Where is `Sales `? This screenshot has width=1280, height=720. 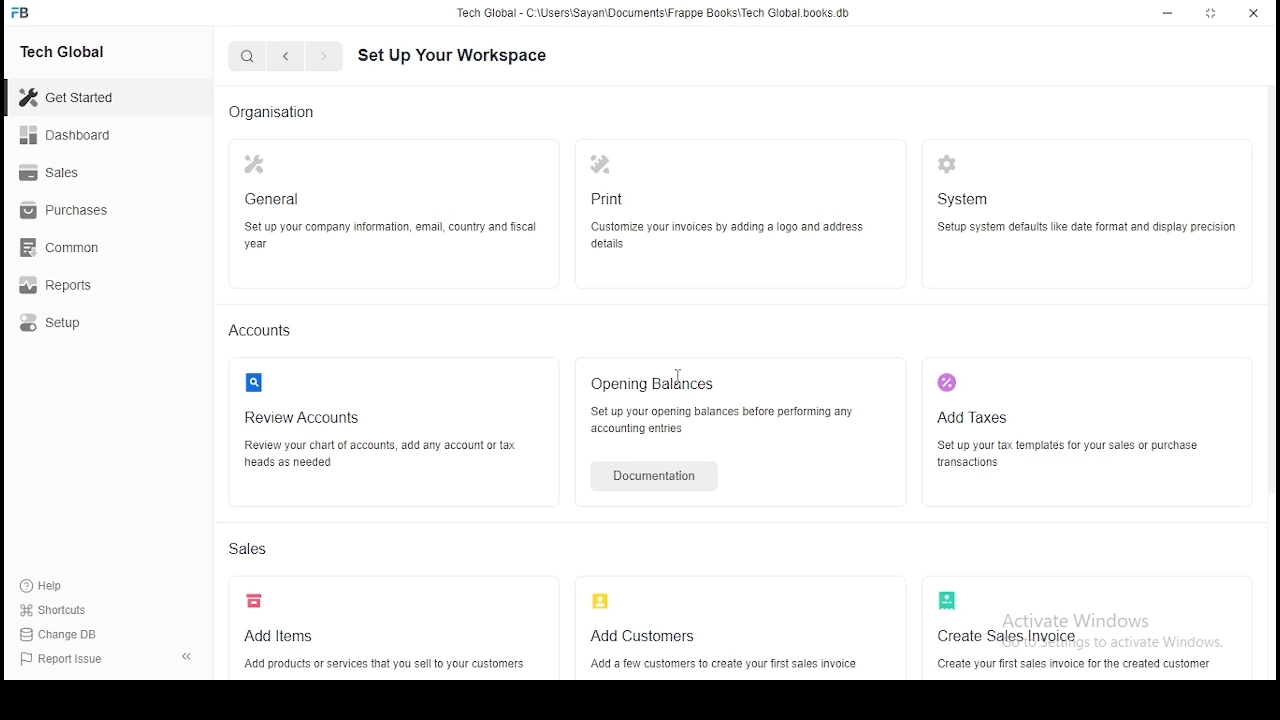
Sales  is located at coordinates (252, 552).